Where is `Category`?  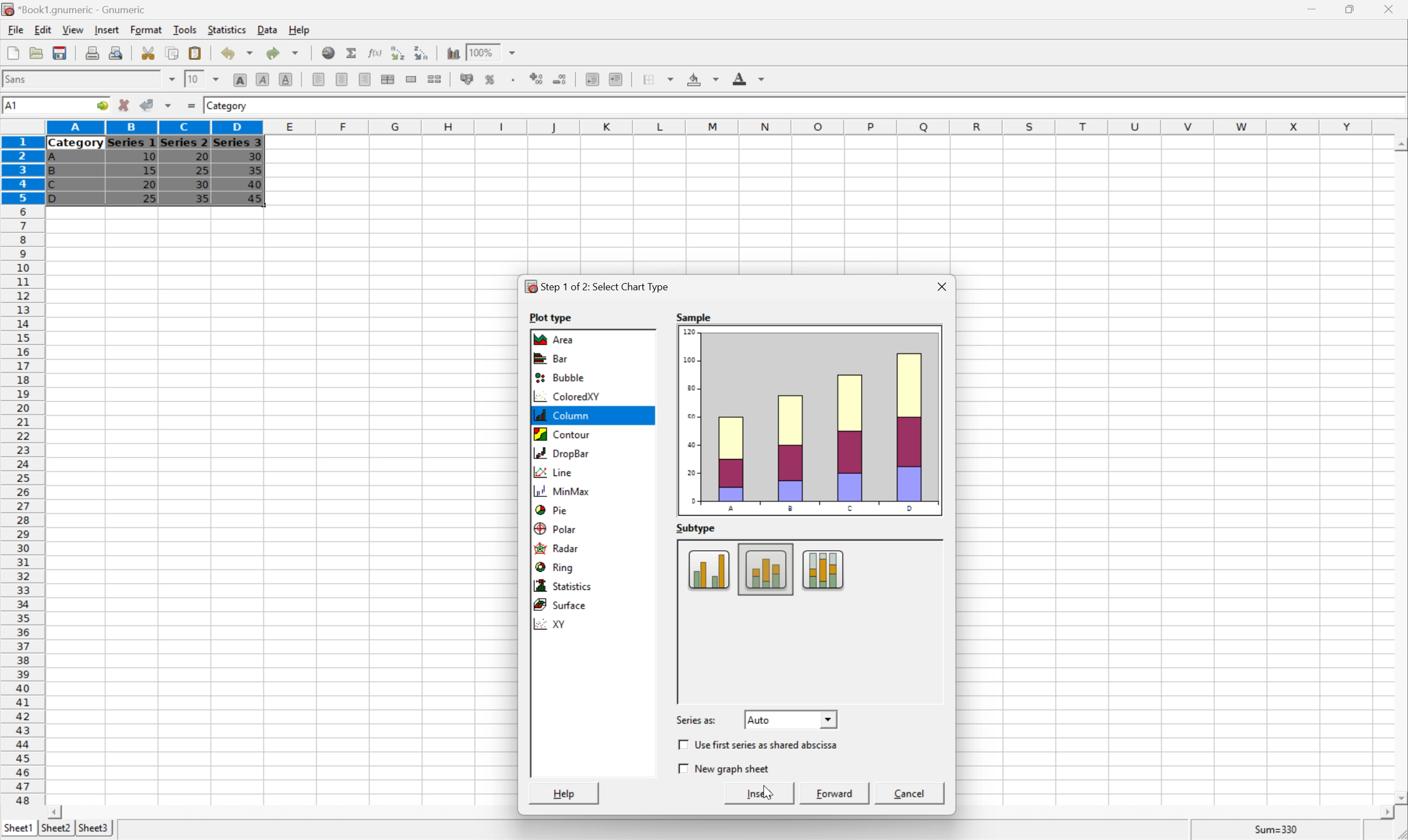
Category is located at coordinates (76, 144).